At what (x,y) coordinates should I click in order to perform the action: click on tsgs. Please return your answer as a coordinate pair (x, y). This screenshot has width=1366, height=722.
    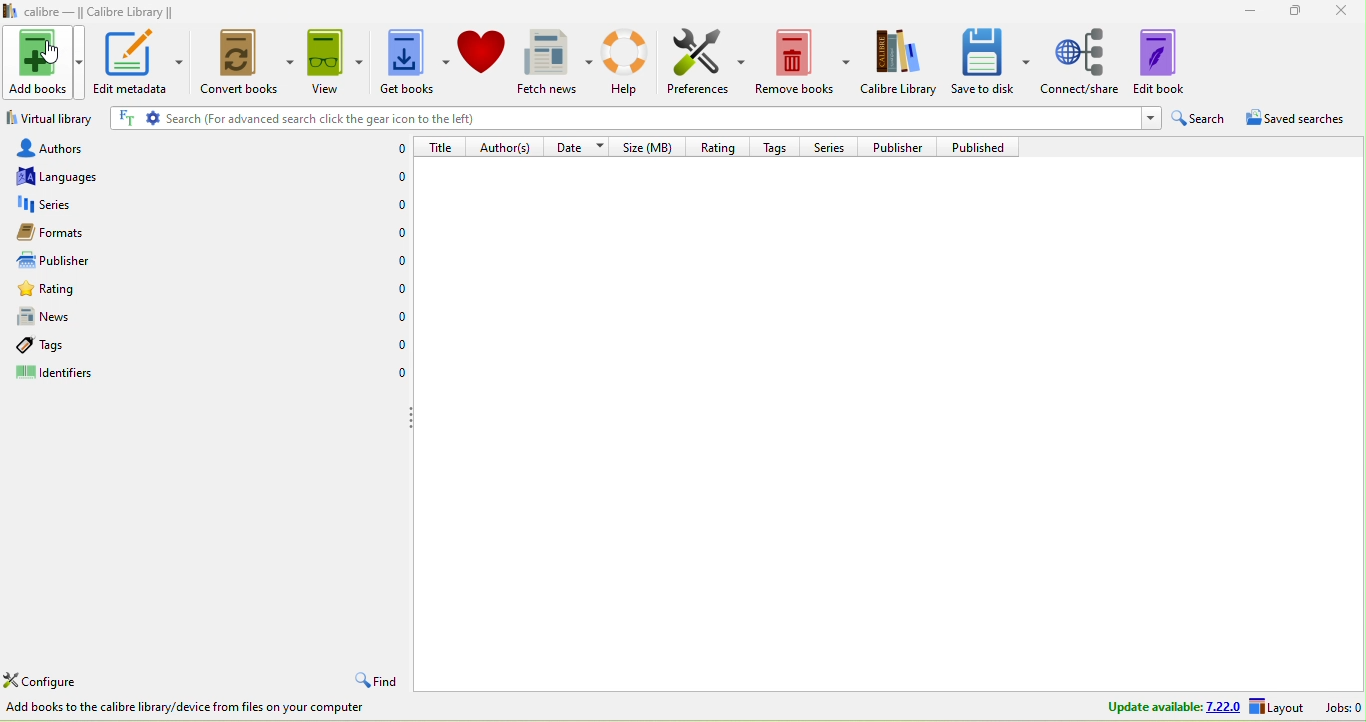
    Looking at the image, I should click on (71, 346).